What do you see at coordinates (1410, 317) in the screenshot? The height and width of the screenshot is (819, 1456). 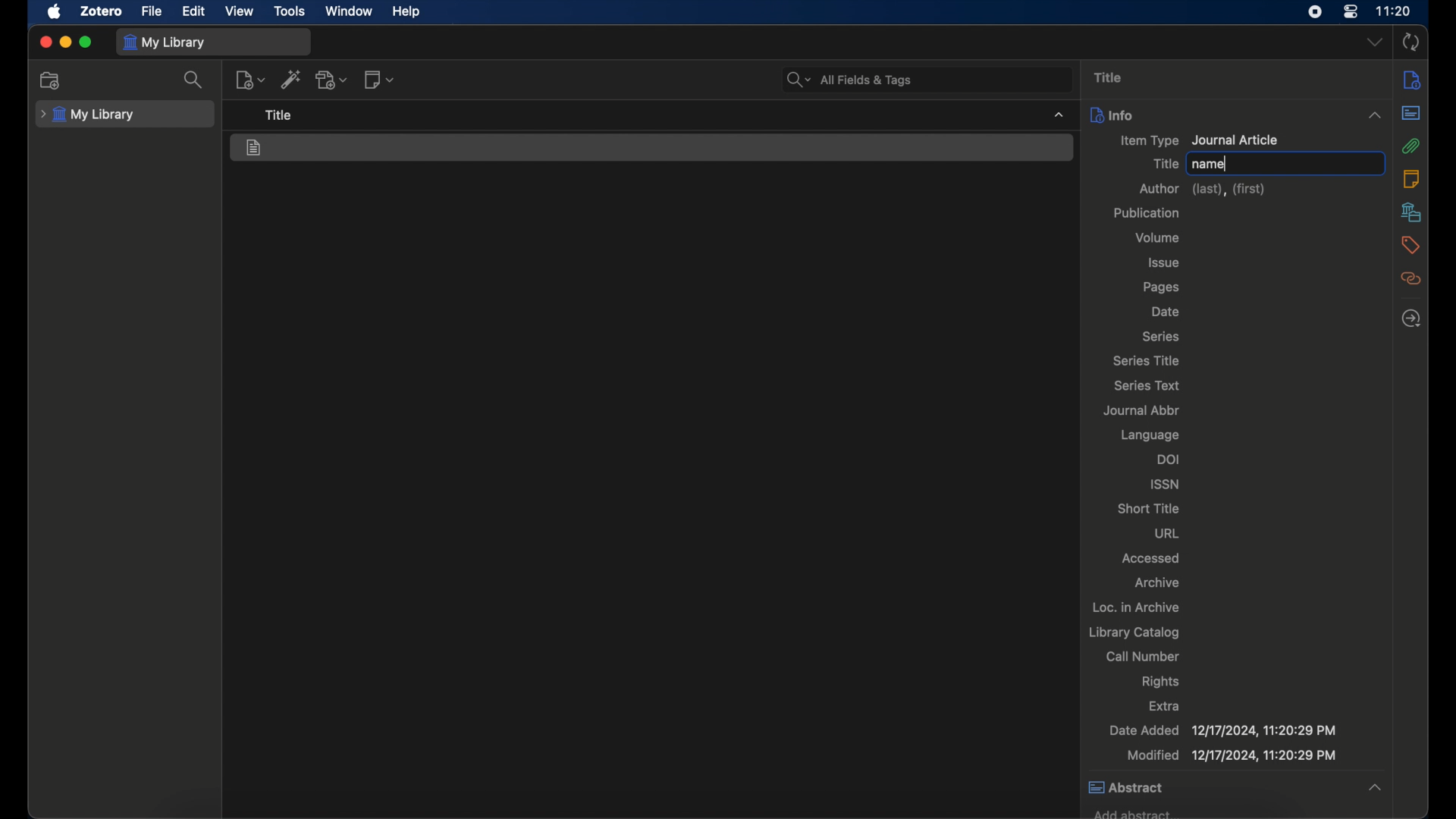 I see `locate` at bounding box center [1410, 317].